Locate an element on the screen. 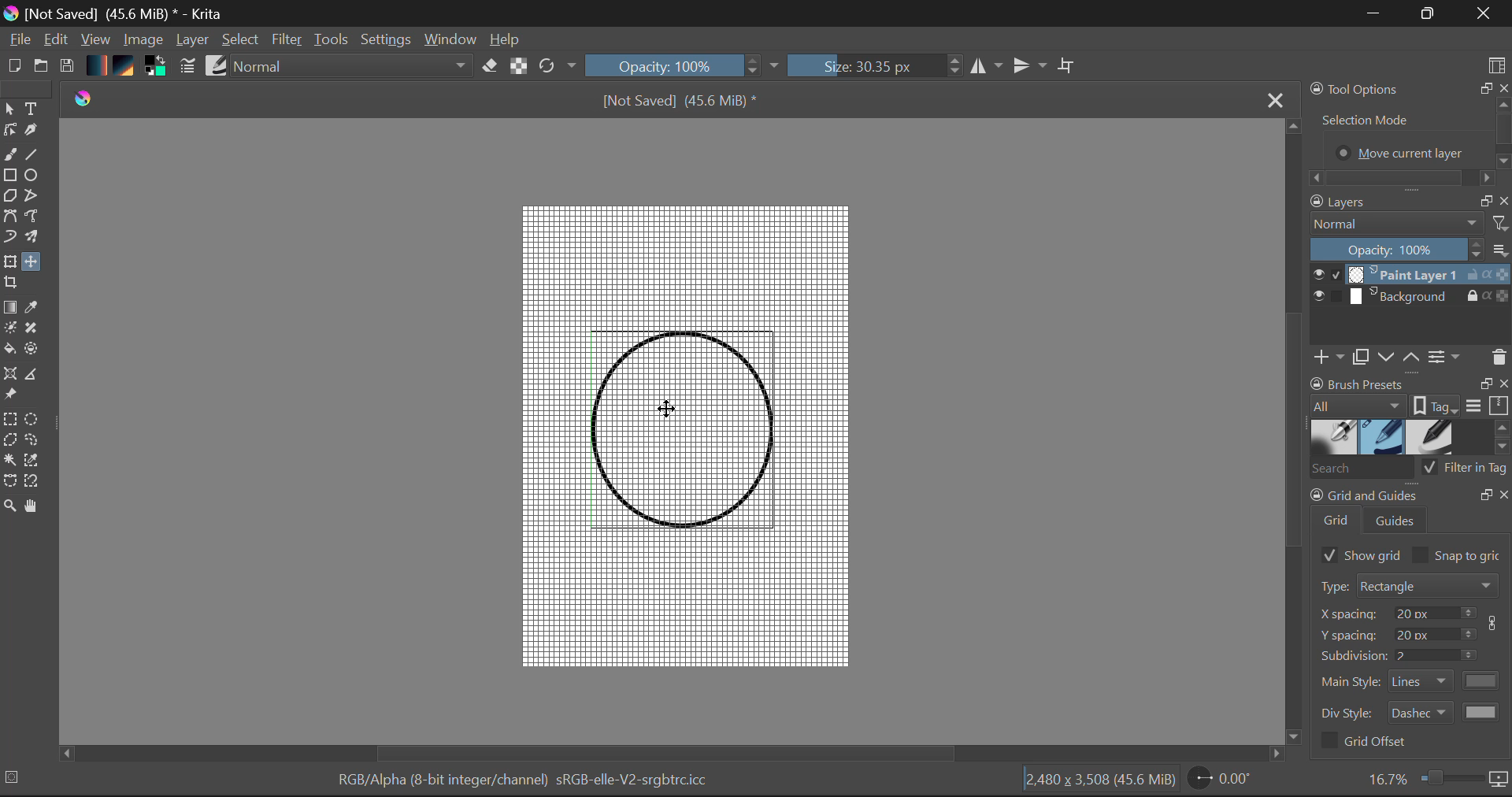 This screenshot has height=797, width=1512. Settings is located at coordinates (387, 42).